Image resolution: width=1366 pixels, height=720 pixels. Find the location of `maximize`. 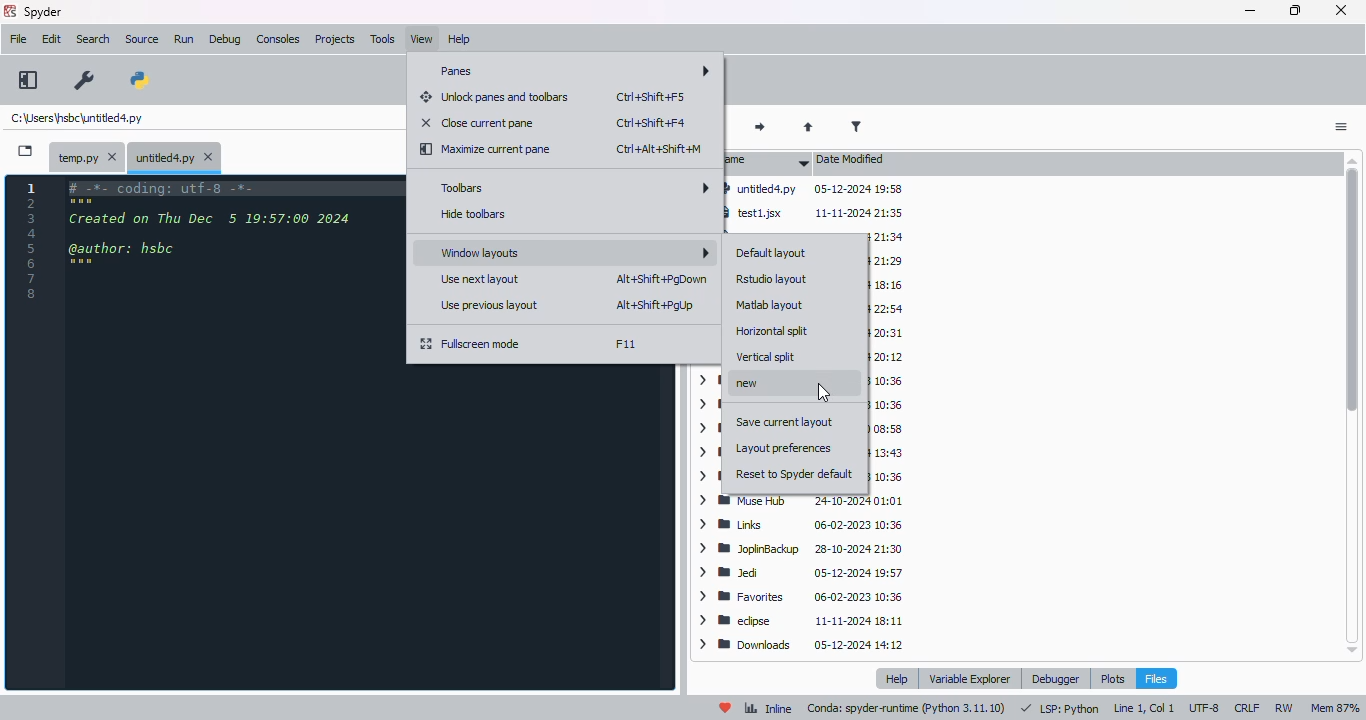

maximize is located at coordinates (1296, 10).